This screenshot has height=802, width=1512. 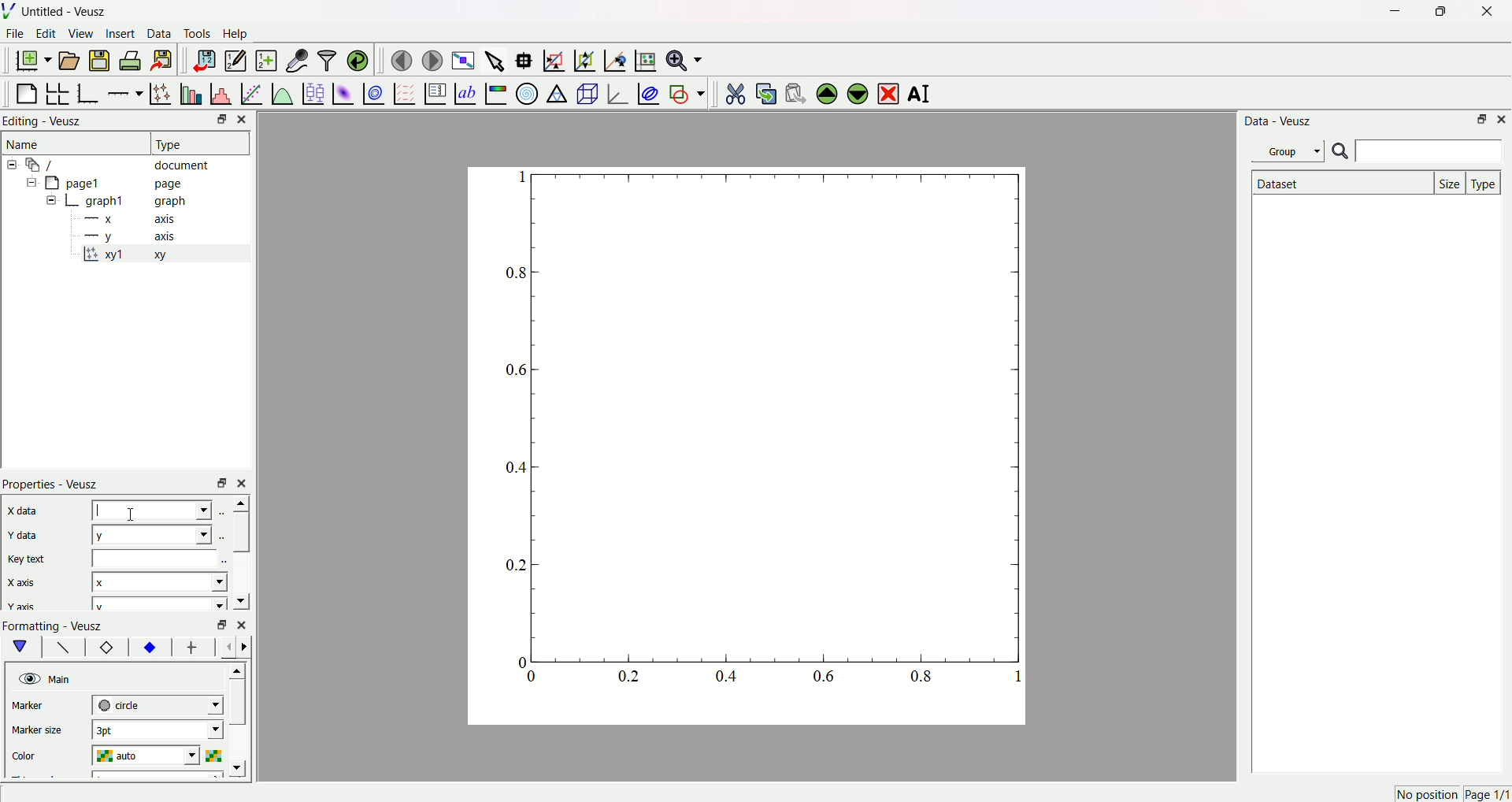 I want to click on fit a function, so click(x=250, y=92).